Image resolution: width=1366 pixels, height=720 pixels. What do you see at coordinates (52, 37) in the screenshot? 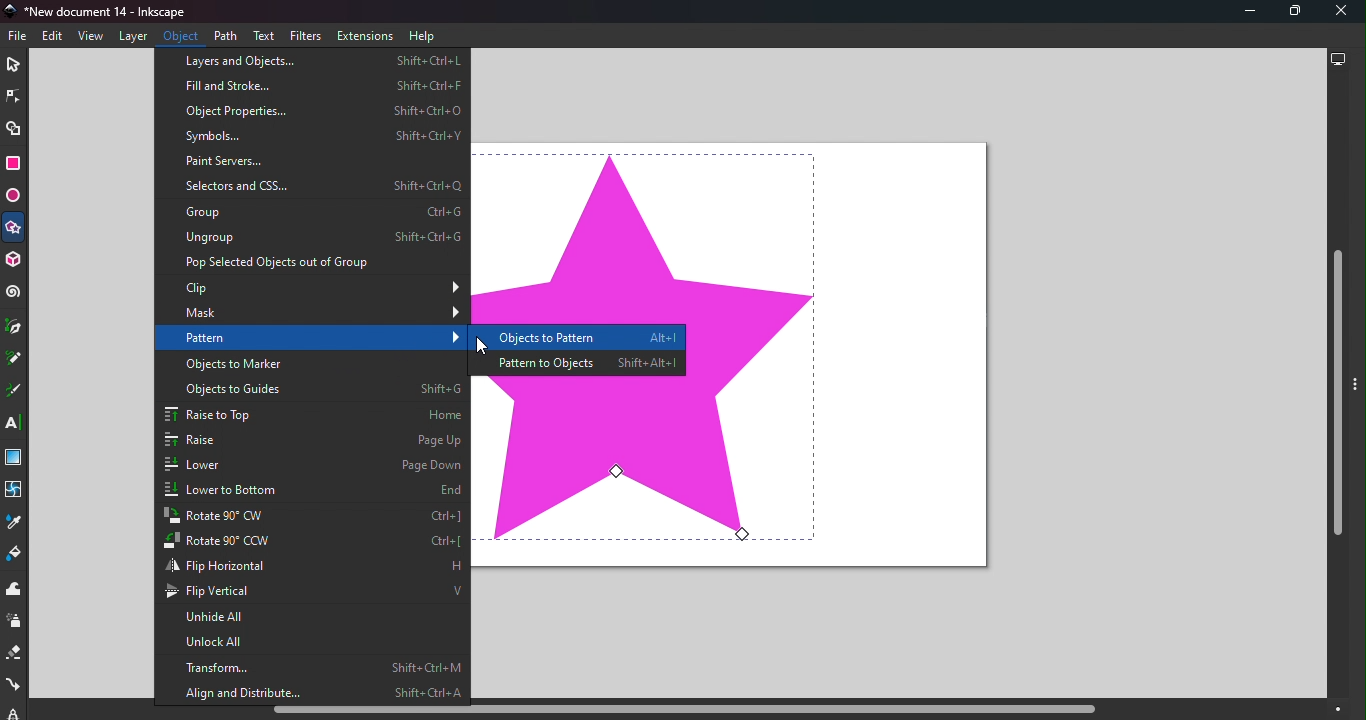
I see `Edit` at bounding box center [52, 37].